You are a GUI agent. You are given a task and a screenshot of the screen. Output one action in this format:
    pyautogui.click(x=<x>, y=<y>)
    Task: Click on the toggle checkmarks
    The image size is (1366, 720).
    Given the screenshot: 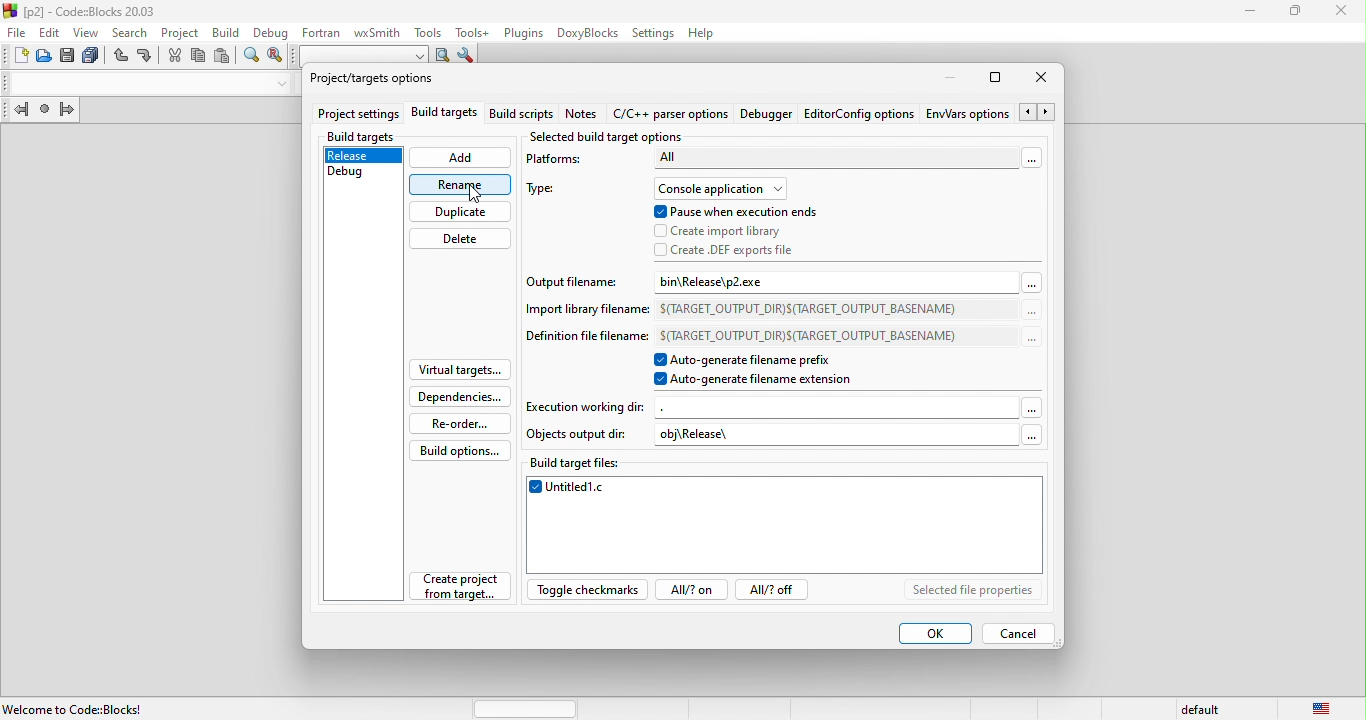 What is the action you would take?
    pyautogui.click(x=588, y=592)
    